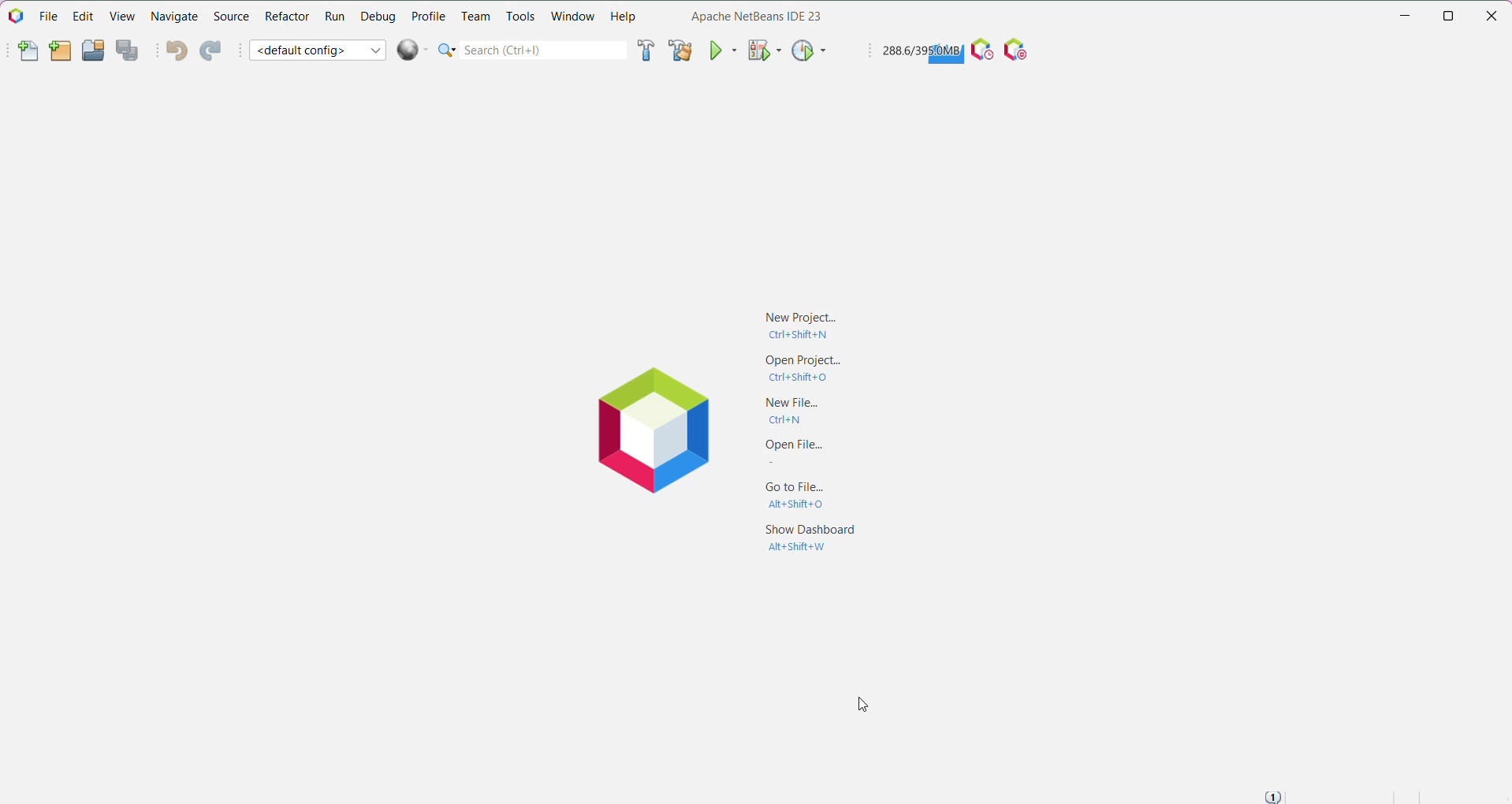 Image resolution: width=1512 pixels, height=804 pixels. What do you see at coordinates (174, 51) in the screenshot?
I see `Undo` at bounding box center [174, 51].